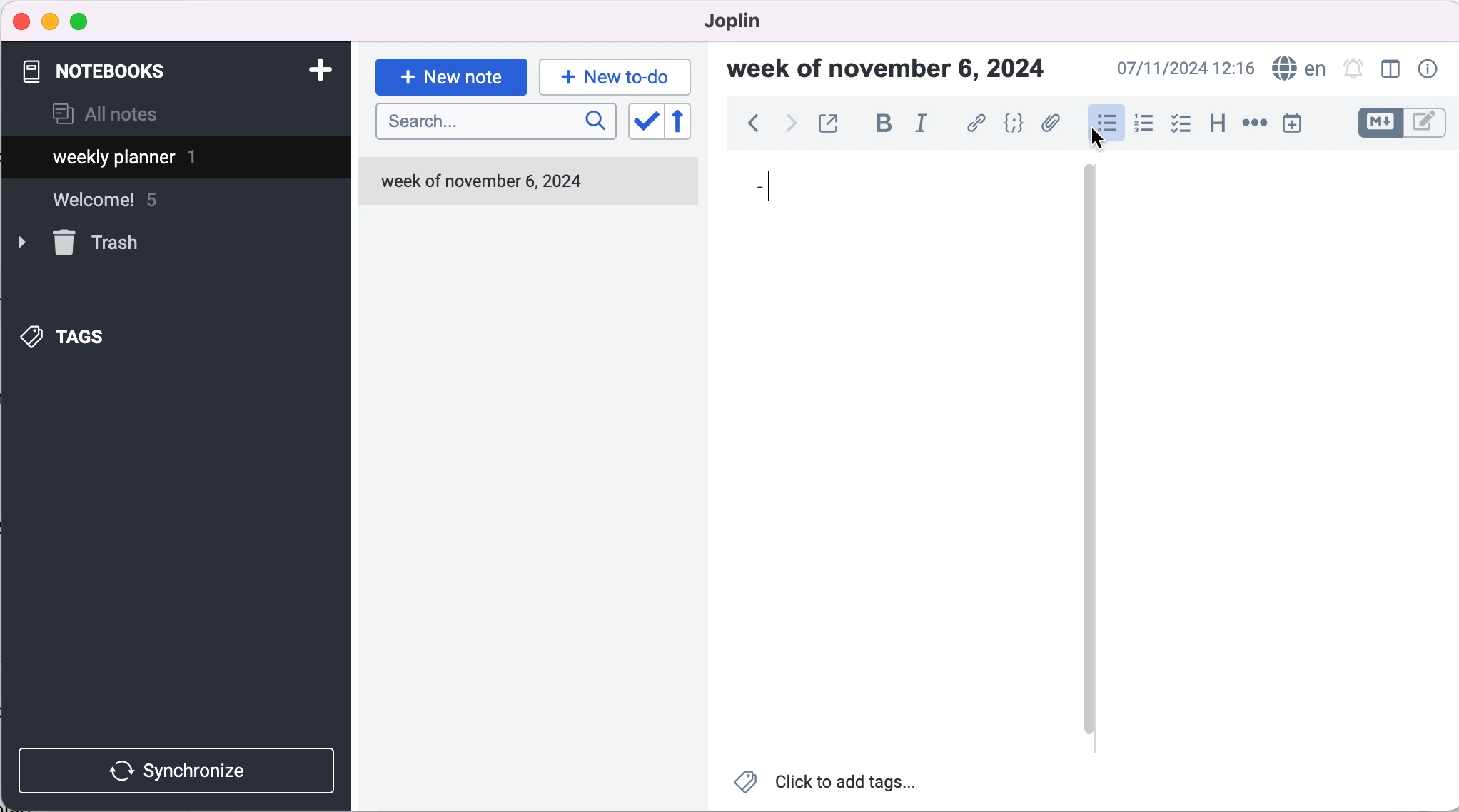 The height and width of the screenshot is (812, 1459). Describe the element at coordinates (1104, 124) in the screenshot. I see `bulleted list` at that location.